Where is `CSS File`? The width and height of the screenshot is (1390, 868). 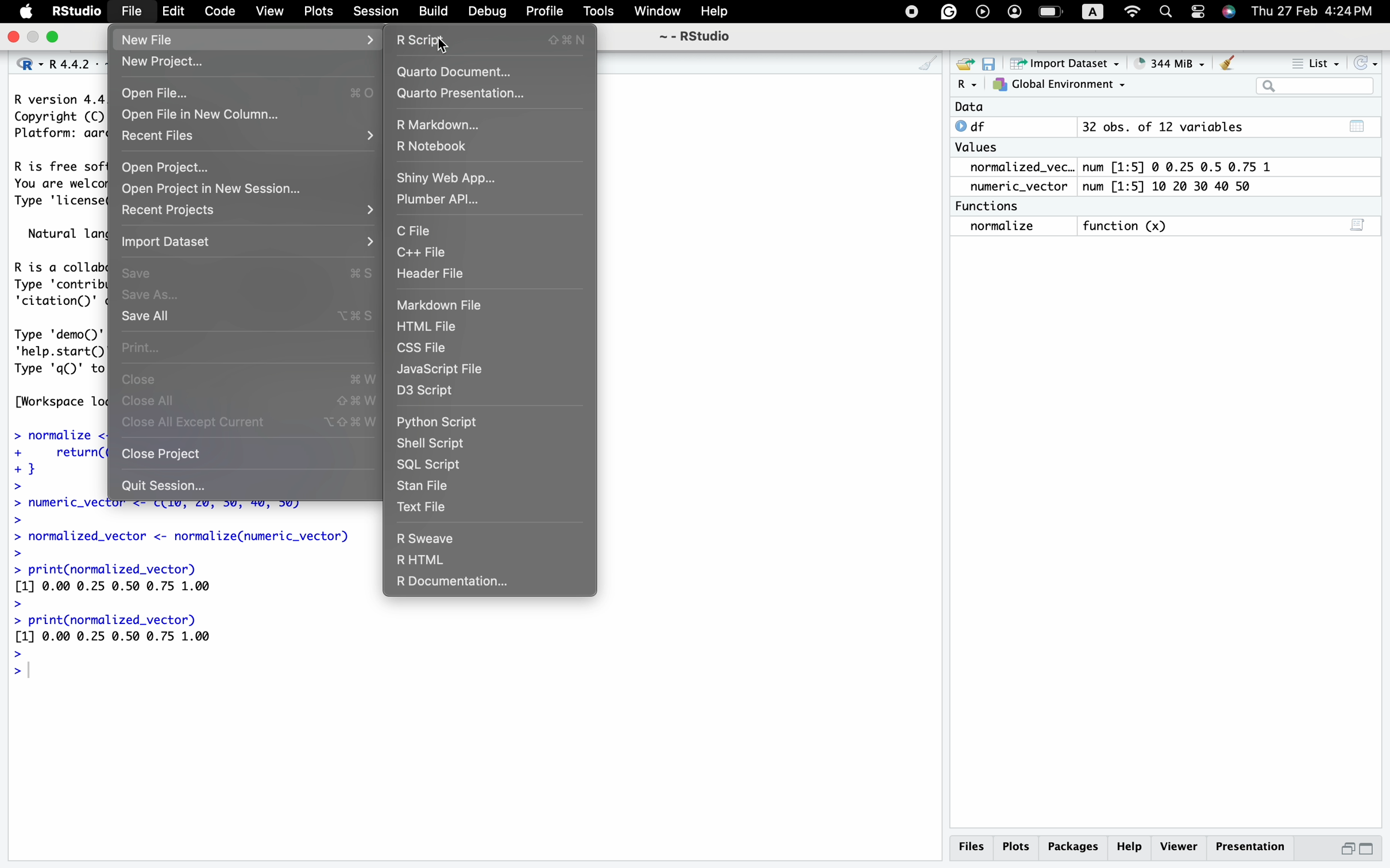 CSS File is located at coordinates (423, 348).